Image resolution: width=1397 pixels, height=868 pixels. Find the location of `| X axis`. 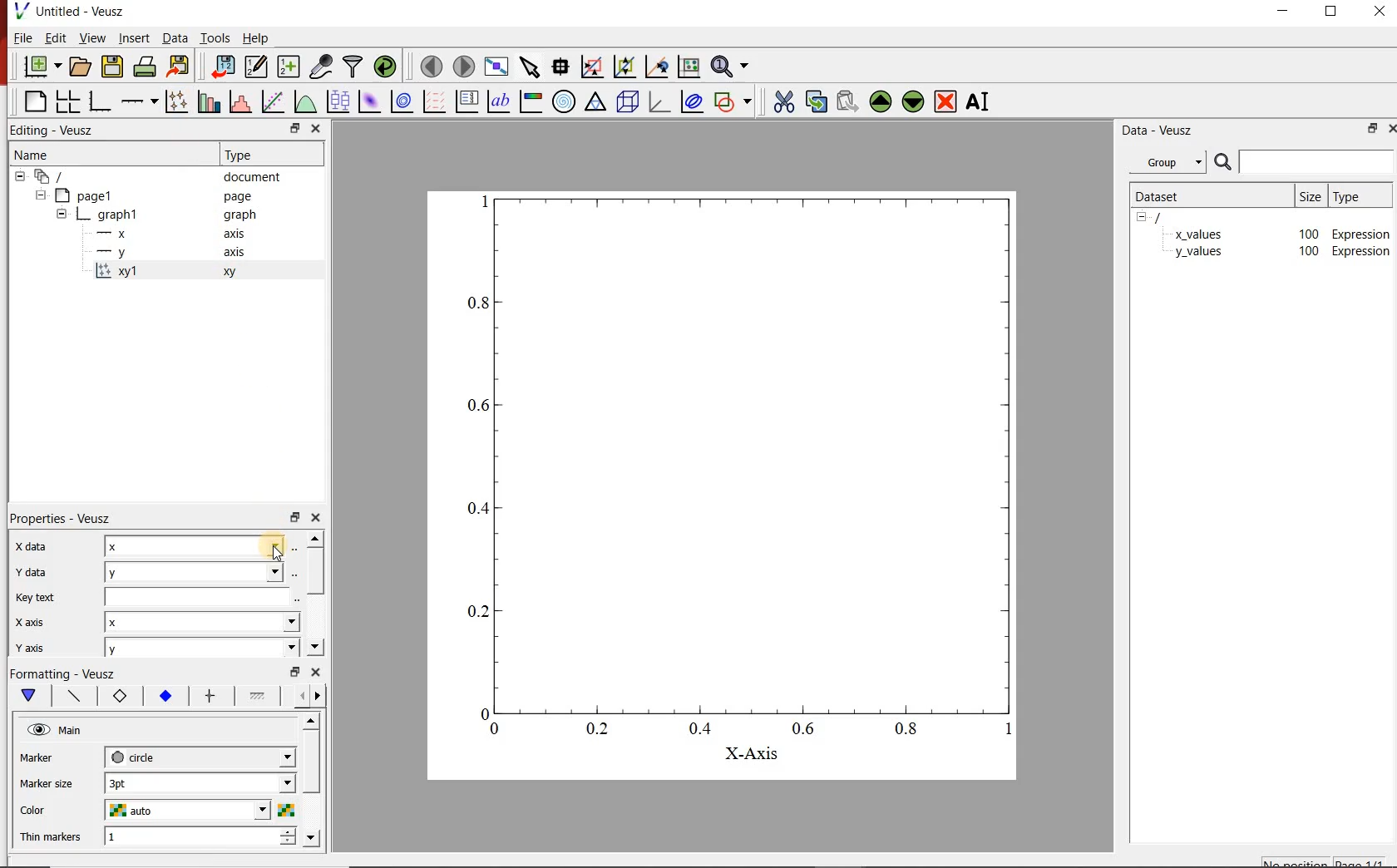

| X axis is located at coordinates (37, 622).